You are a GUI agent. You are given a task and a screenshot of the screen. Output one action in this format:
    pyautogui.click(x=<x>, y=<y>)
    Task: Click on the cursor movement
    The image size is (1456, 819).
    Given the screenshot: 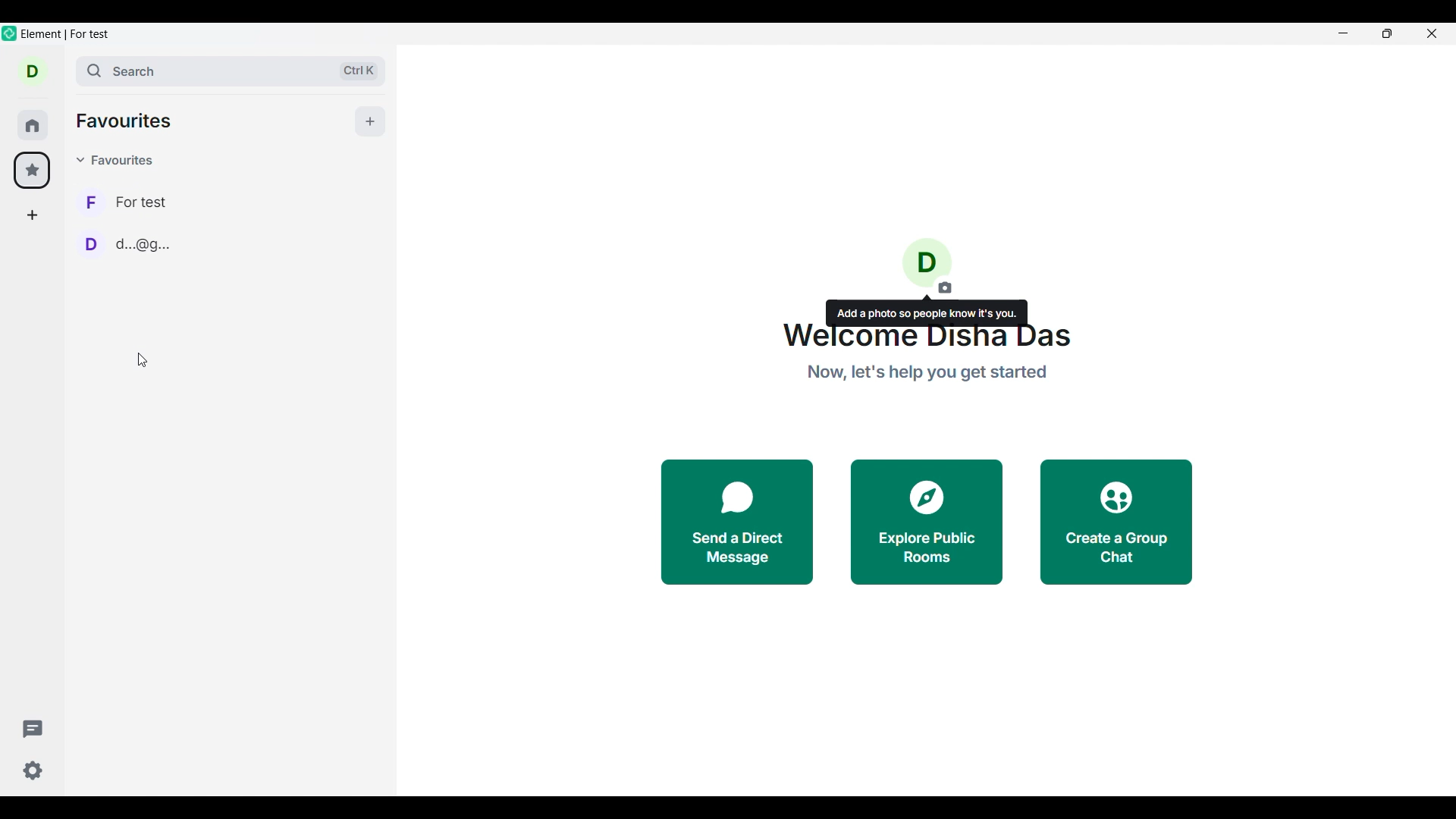 What is the action you would take?
    pyautogui.click(x=144, y=364)
    